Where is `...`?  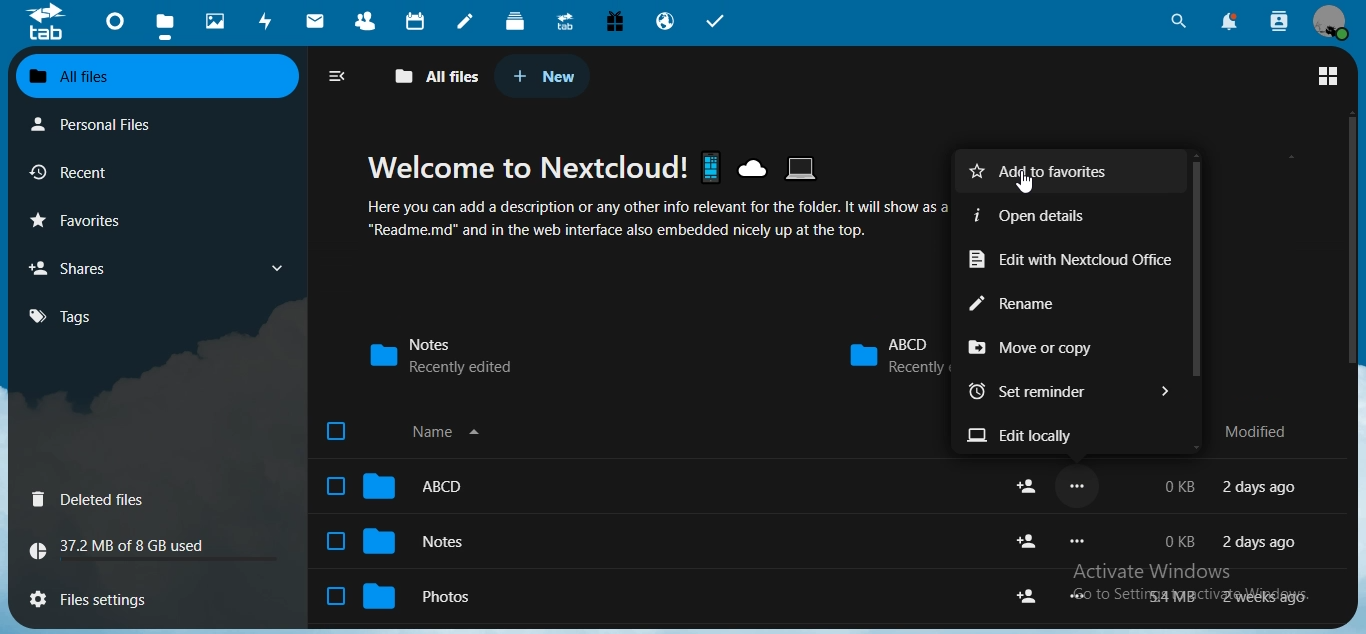
... is located at coordinates (1077, 487).